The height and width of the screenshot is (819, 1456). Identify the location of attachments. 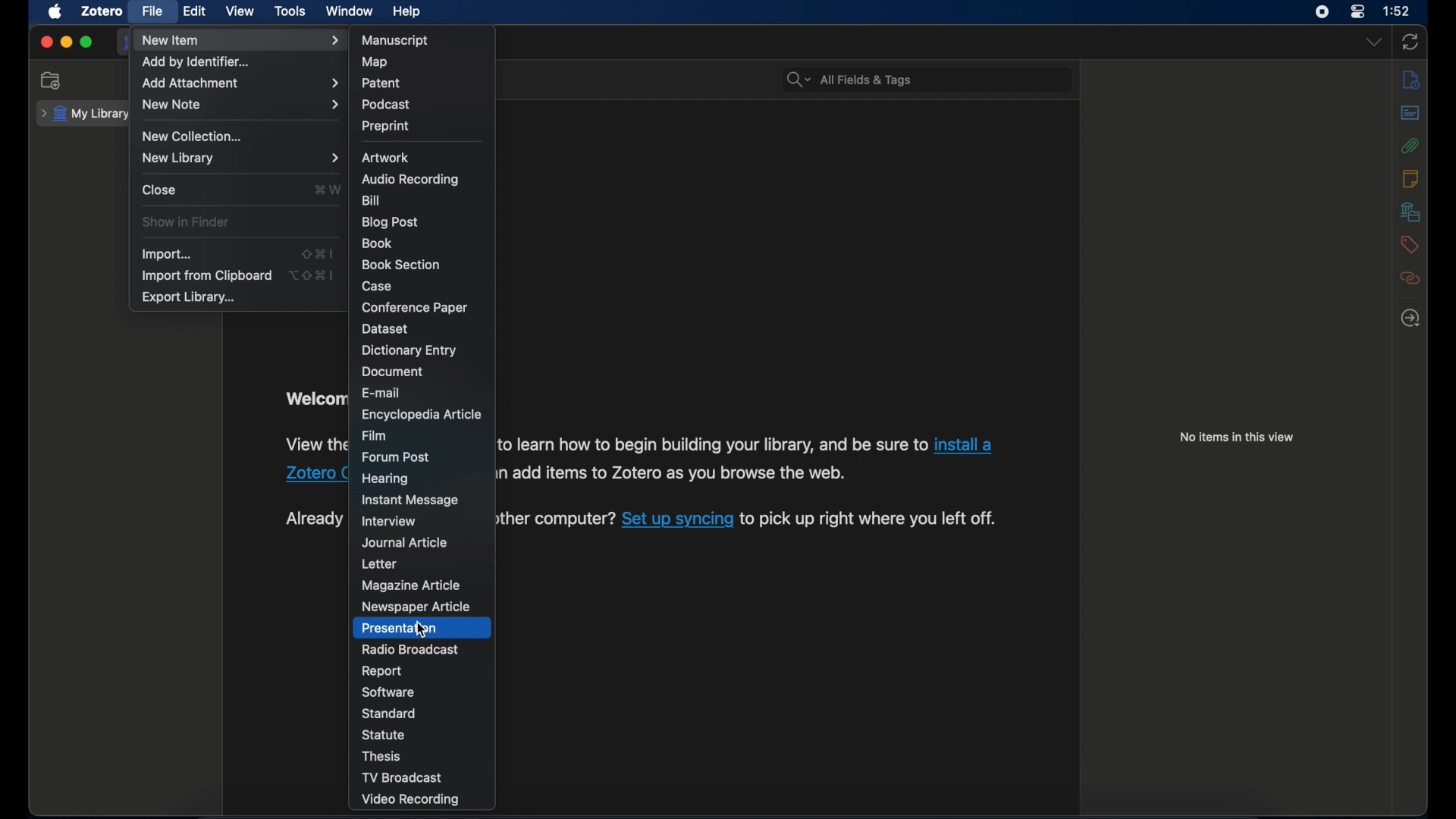
(1410, 146).